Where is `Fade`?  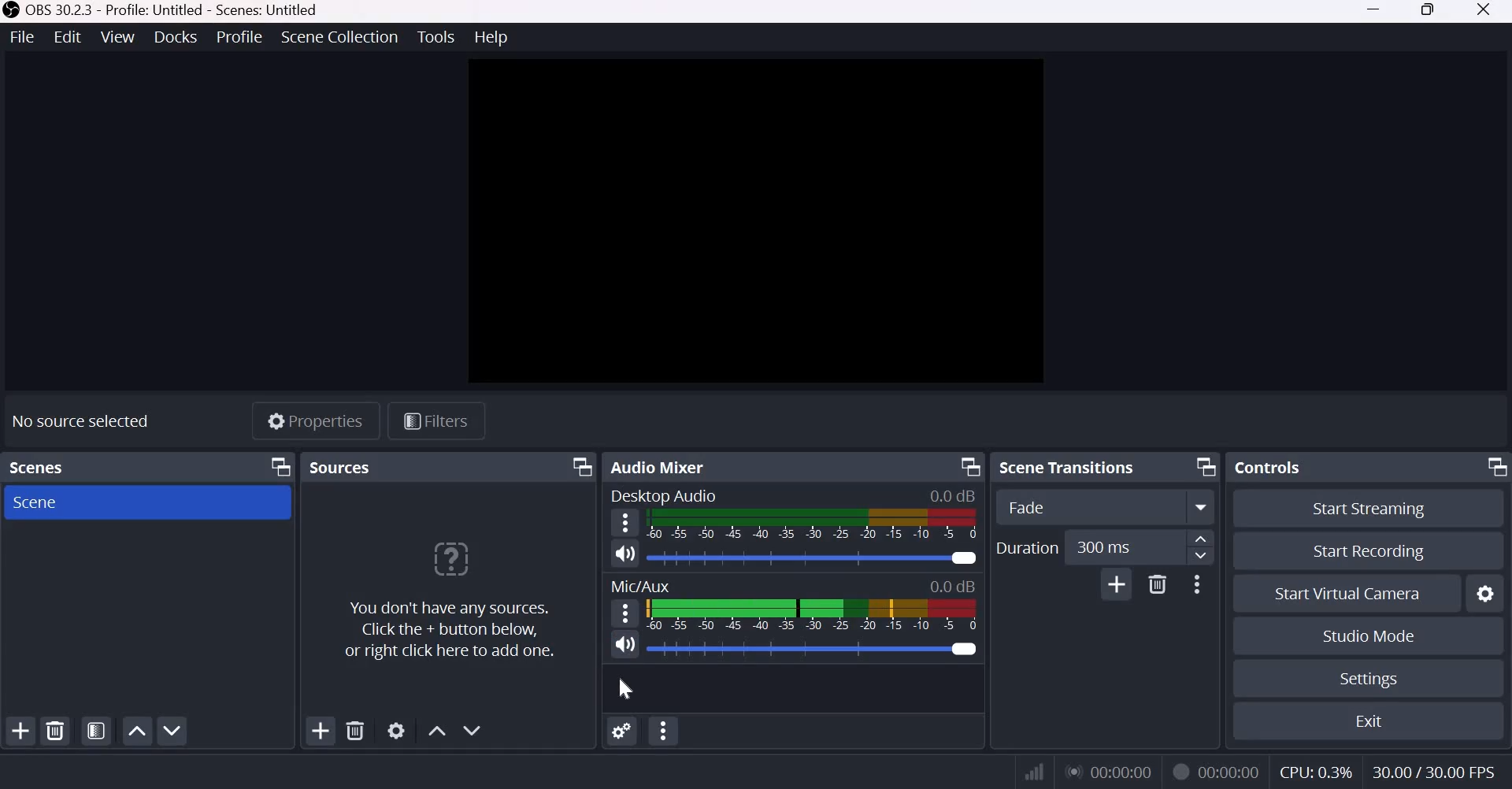 Fade is located at coordinates (1090, 506).